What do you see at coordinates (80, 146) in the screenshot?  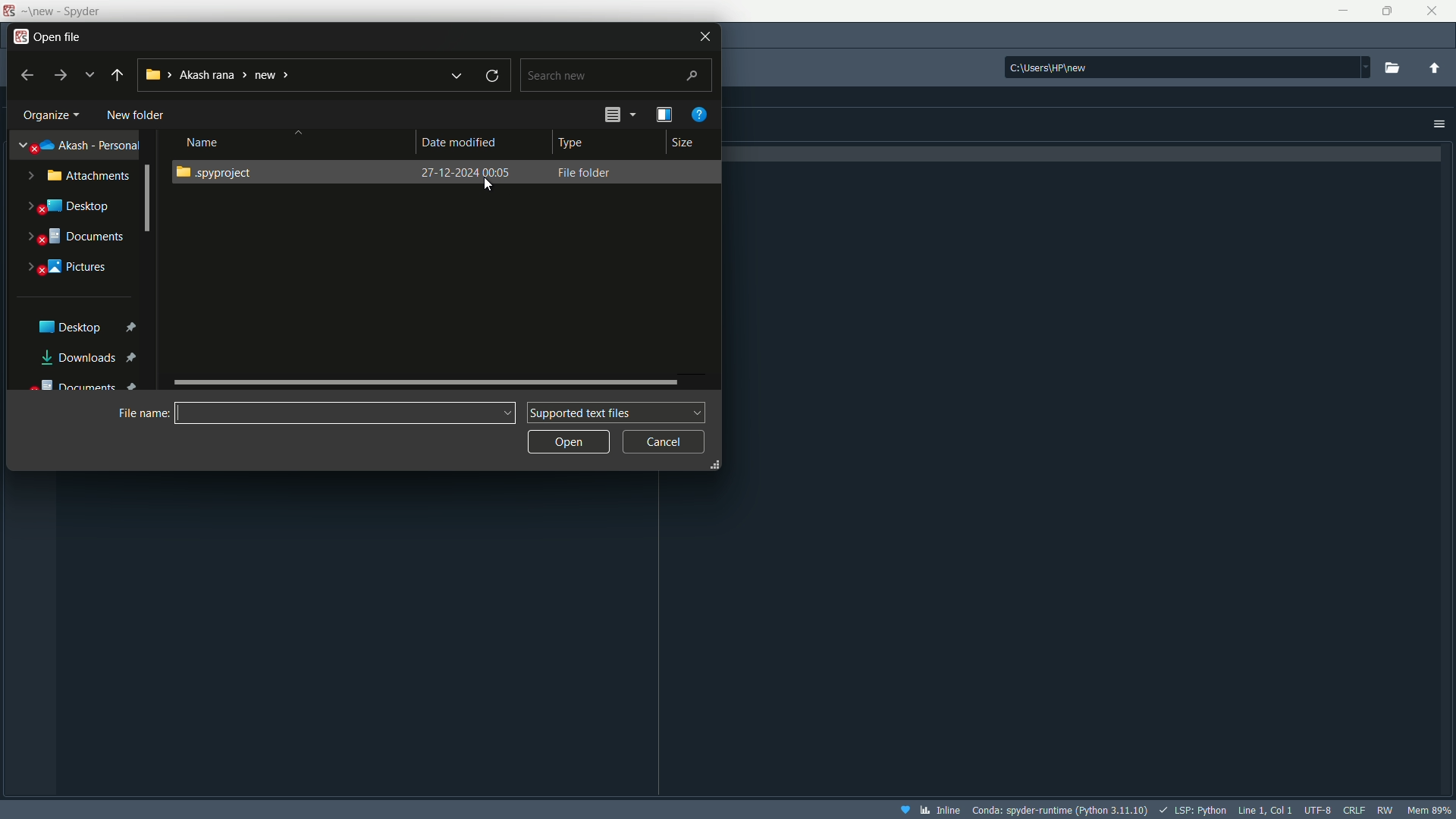 I see `akash-personal` at bounding box center [80, 146].